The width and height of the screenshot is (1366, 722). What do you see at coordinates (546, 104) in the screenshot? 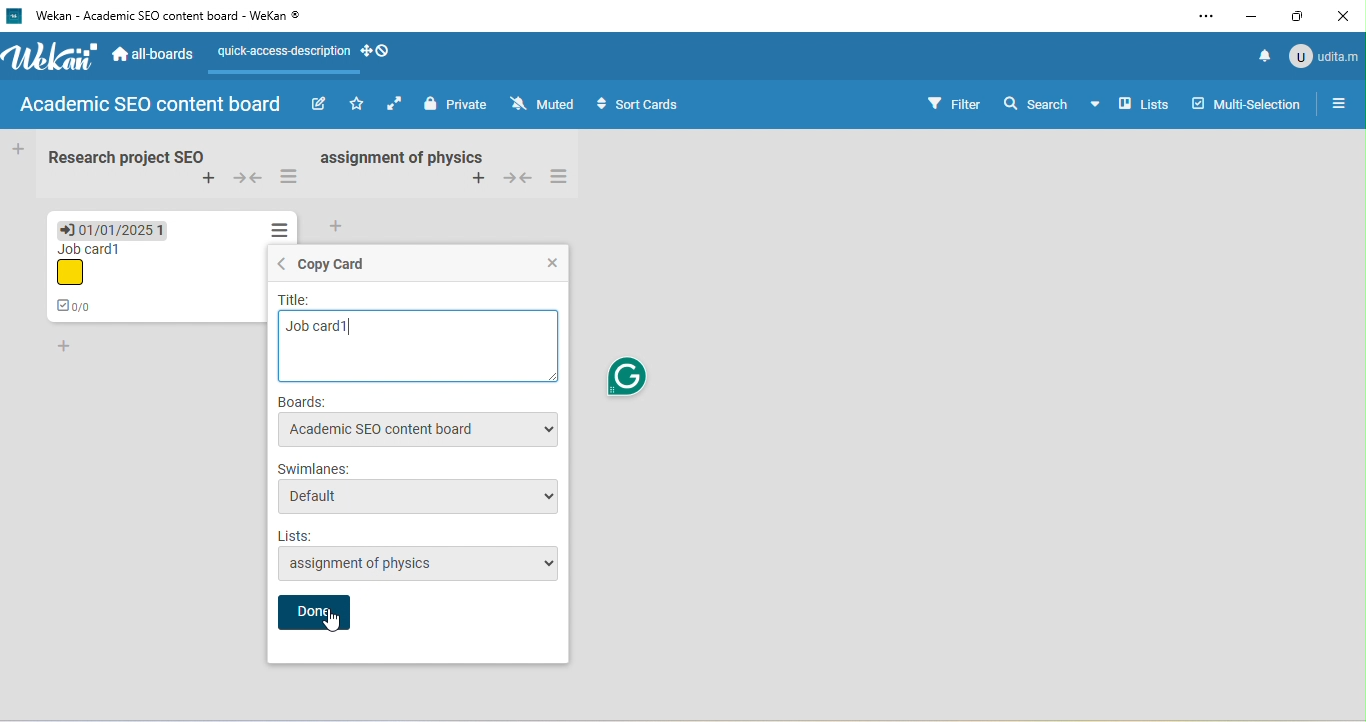
I see `muted` at bounding box center [546, 104].